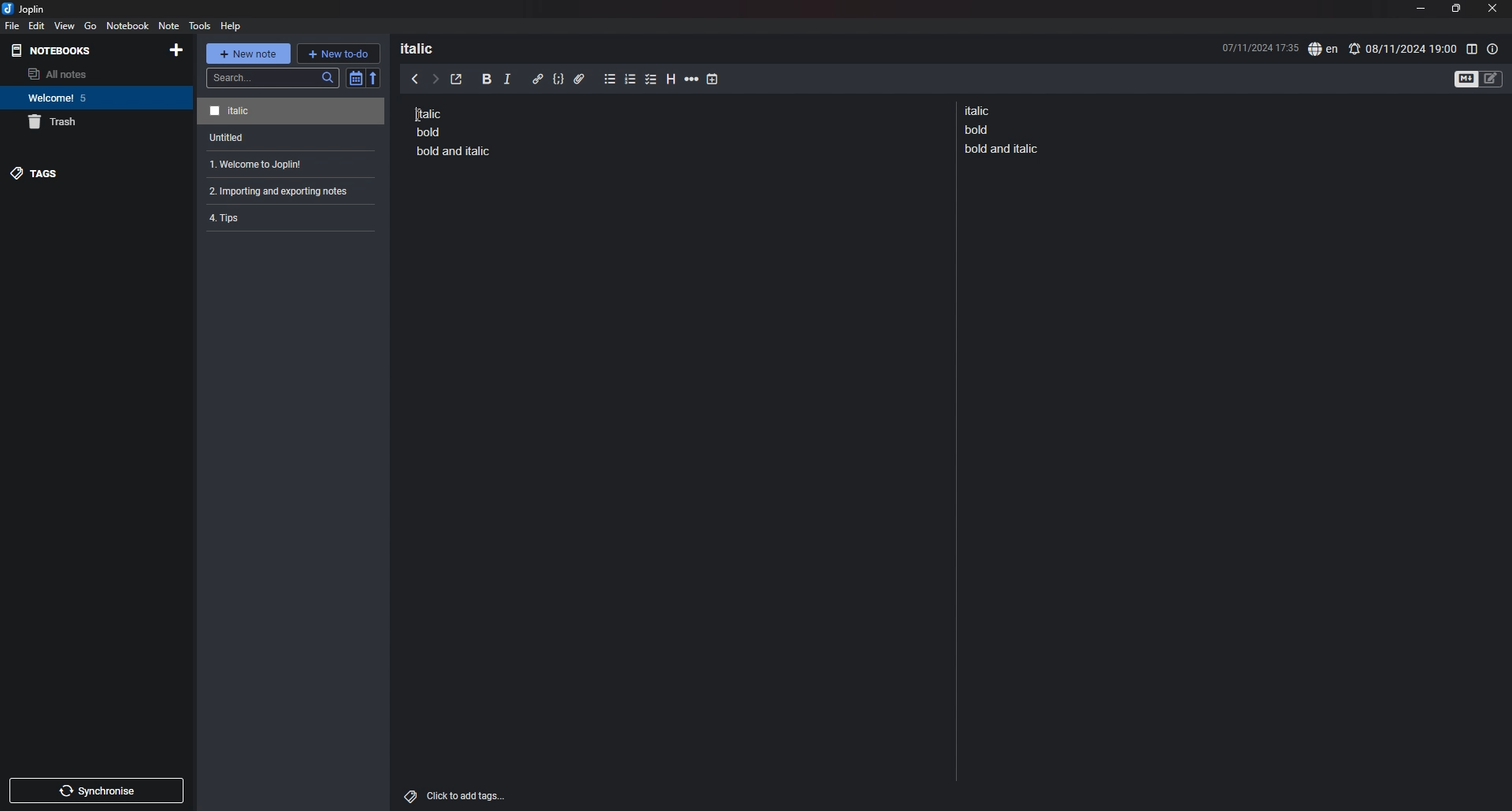  What do you see at coordinates (1455, 9) in the screenshot?
I see `resize` at bounding box center [1455, 9].